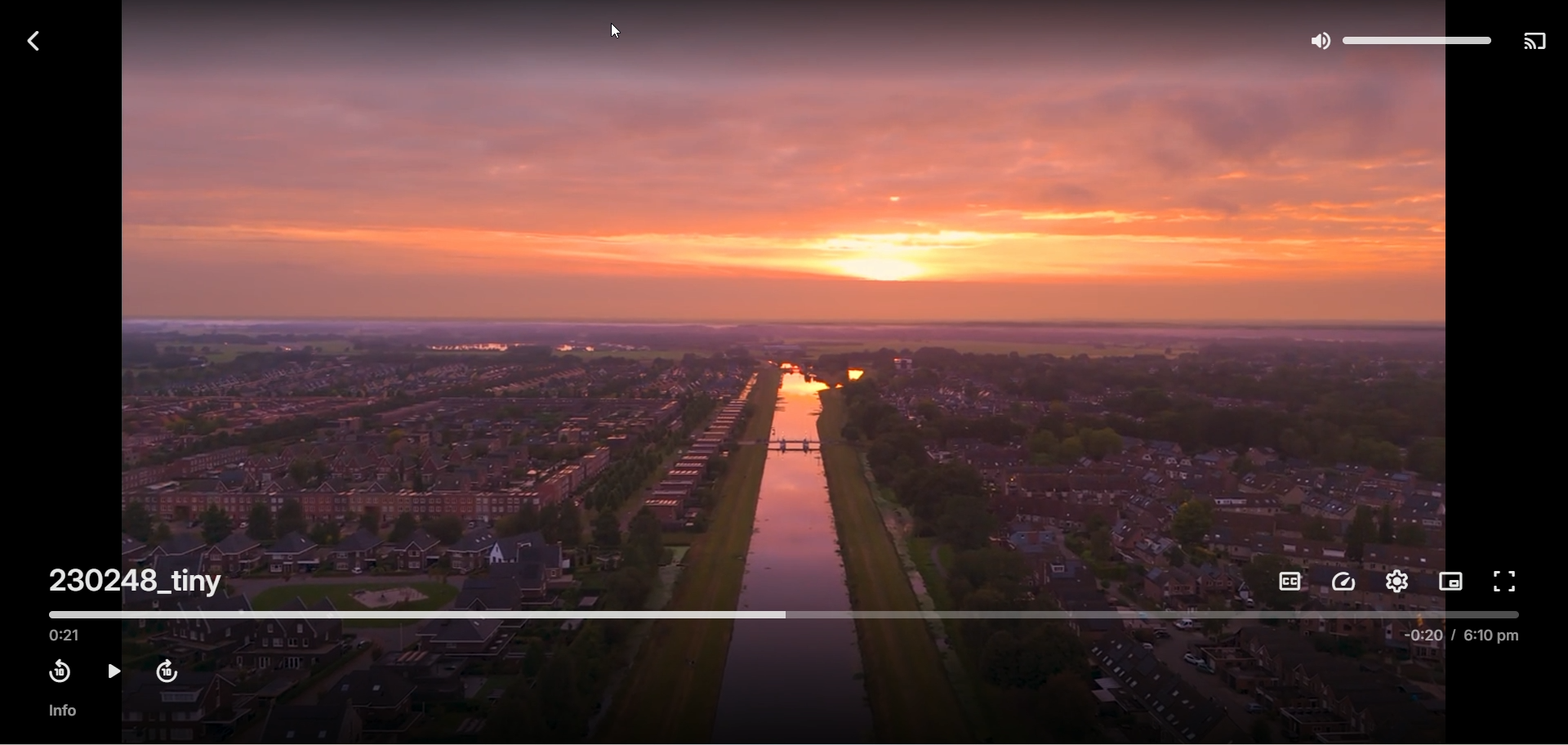 This screenshot has width=1568, height=745. What do you see at coordinates (1344, 583) in the screenshot?
I see `playback speed` at bounding box center [1344, 583].